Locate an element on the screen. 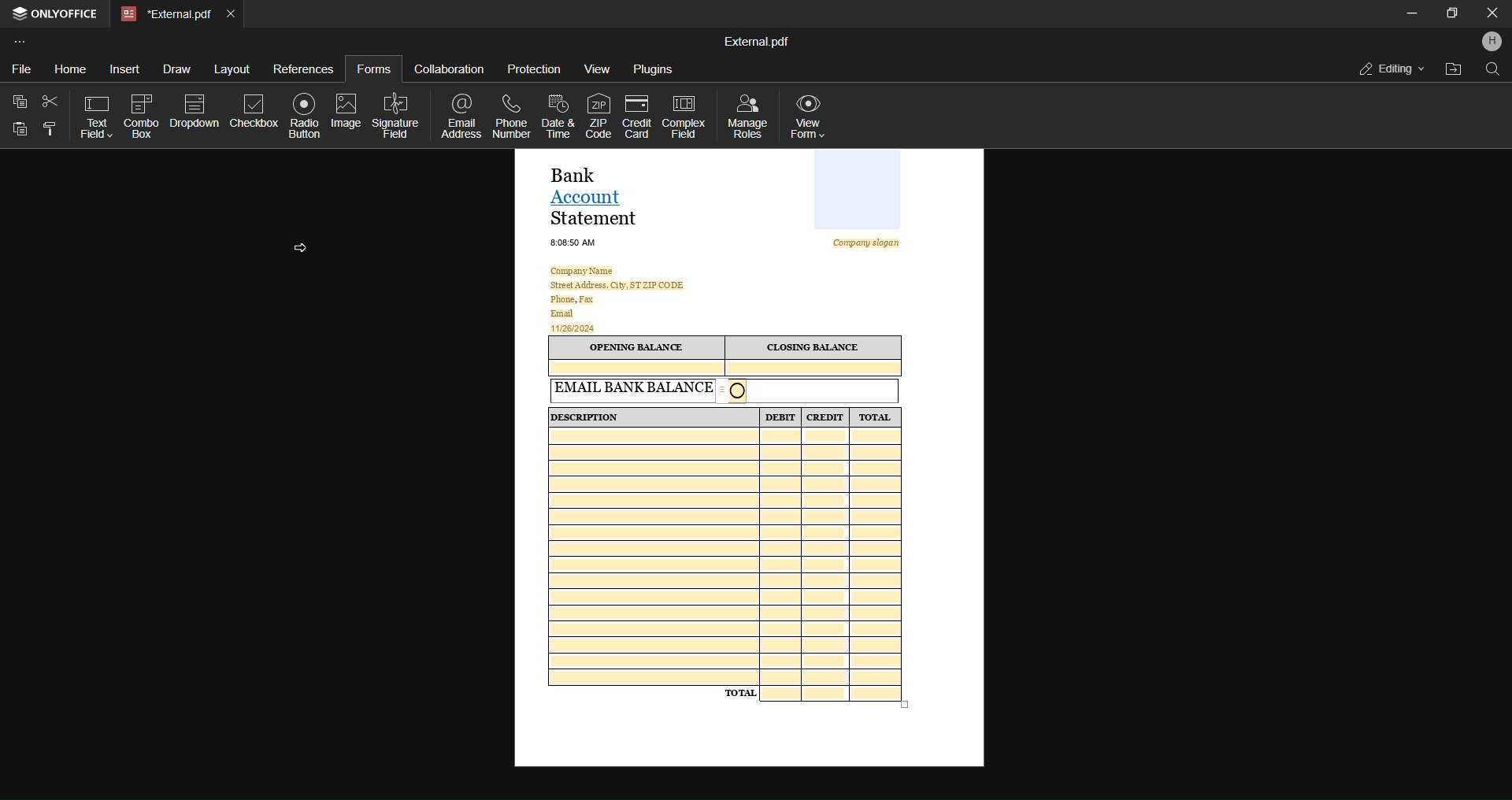 The width and height of the screenshot is (1512, 800). customize toolbar is located at coordinates (23, 41).